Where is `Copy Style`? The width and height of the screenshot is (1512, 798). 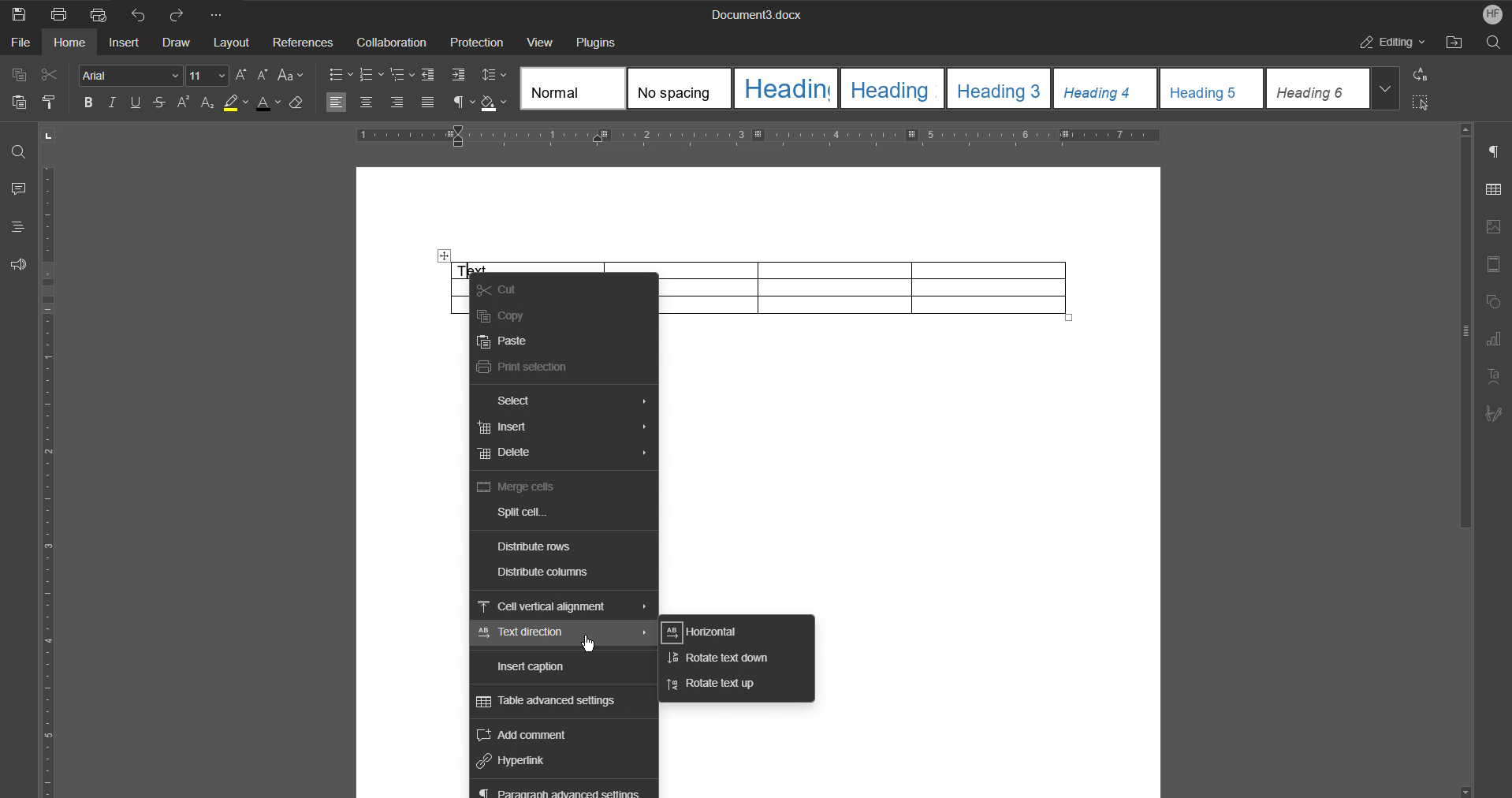 Copy Style is located at coordinates (49, 99).